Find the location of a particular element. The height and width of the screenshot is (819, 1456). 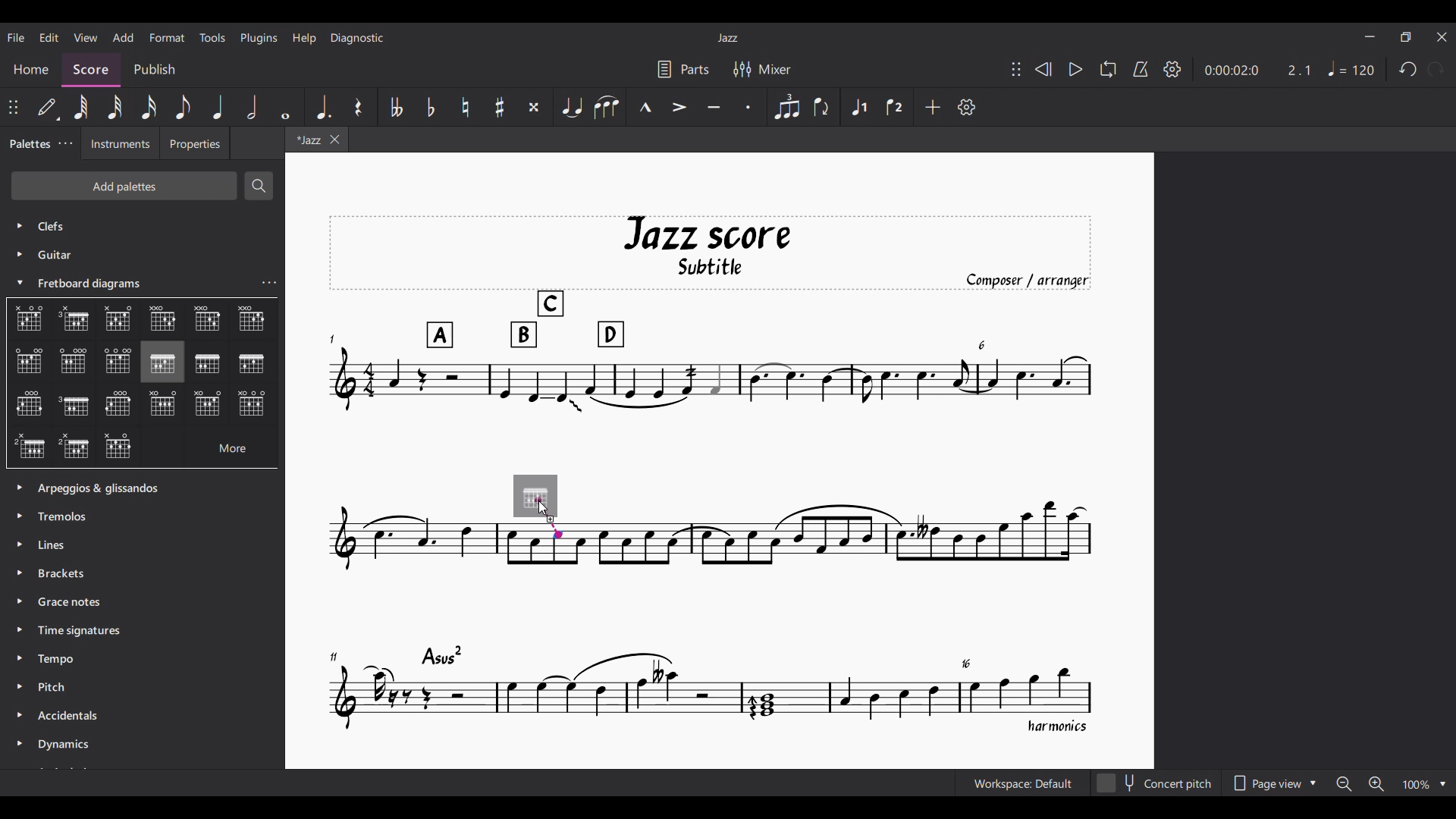

Augmentation dot is located at coordinates (322, 106).